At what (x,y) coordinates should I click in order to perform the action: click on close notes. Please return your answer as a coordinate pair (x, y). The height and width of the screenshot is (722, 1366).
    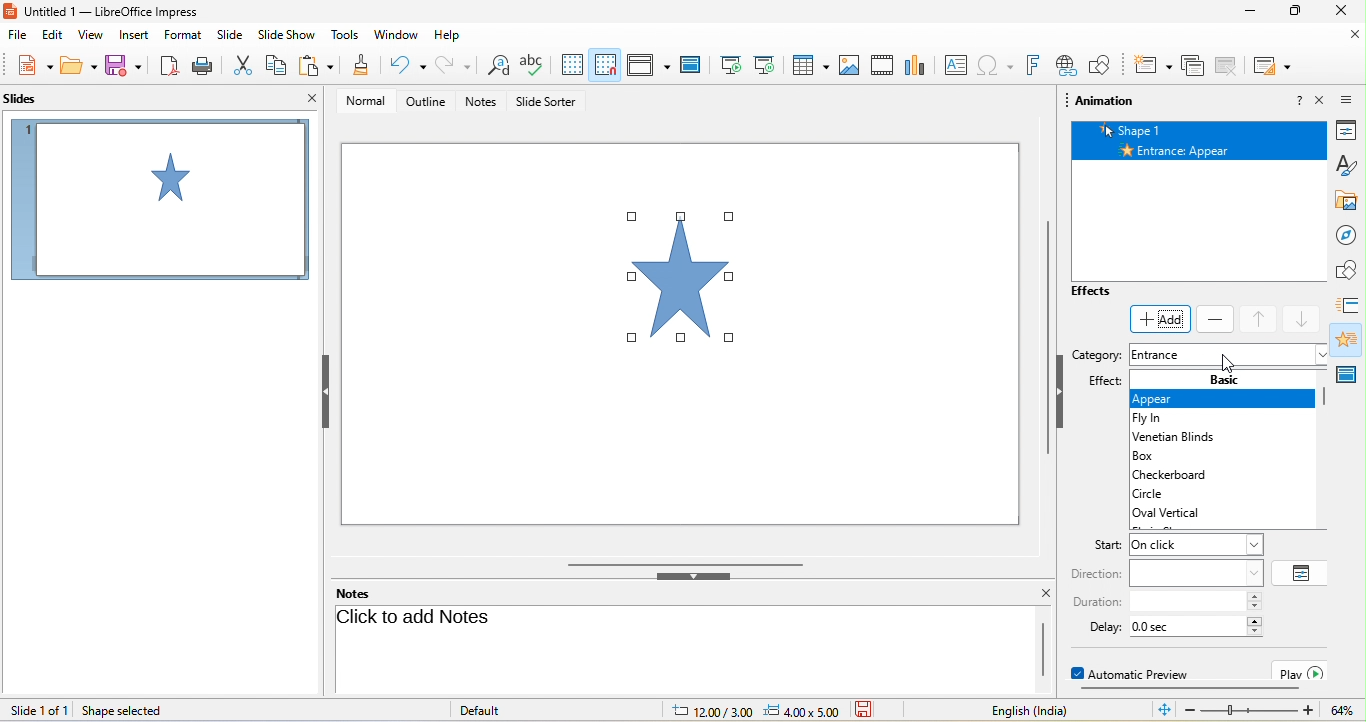
    Looking at the image, I should click on (1046, 594).